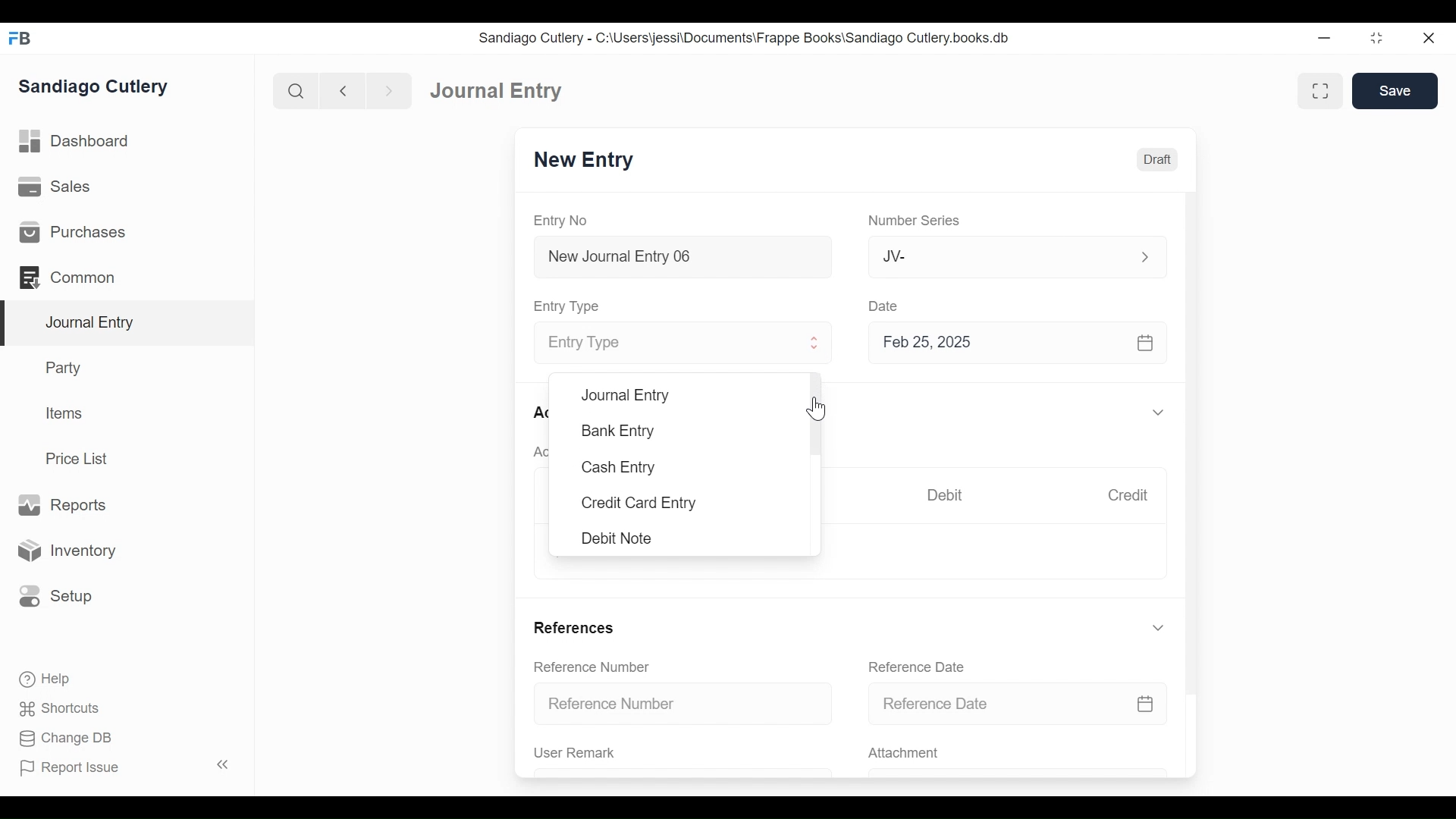 The width and height of the screenshot is (1456, 819). I want to click on Setup, so click(52, 595).